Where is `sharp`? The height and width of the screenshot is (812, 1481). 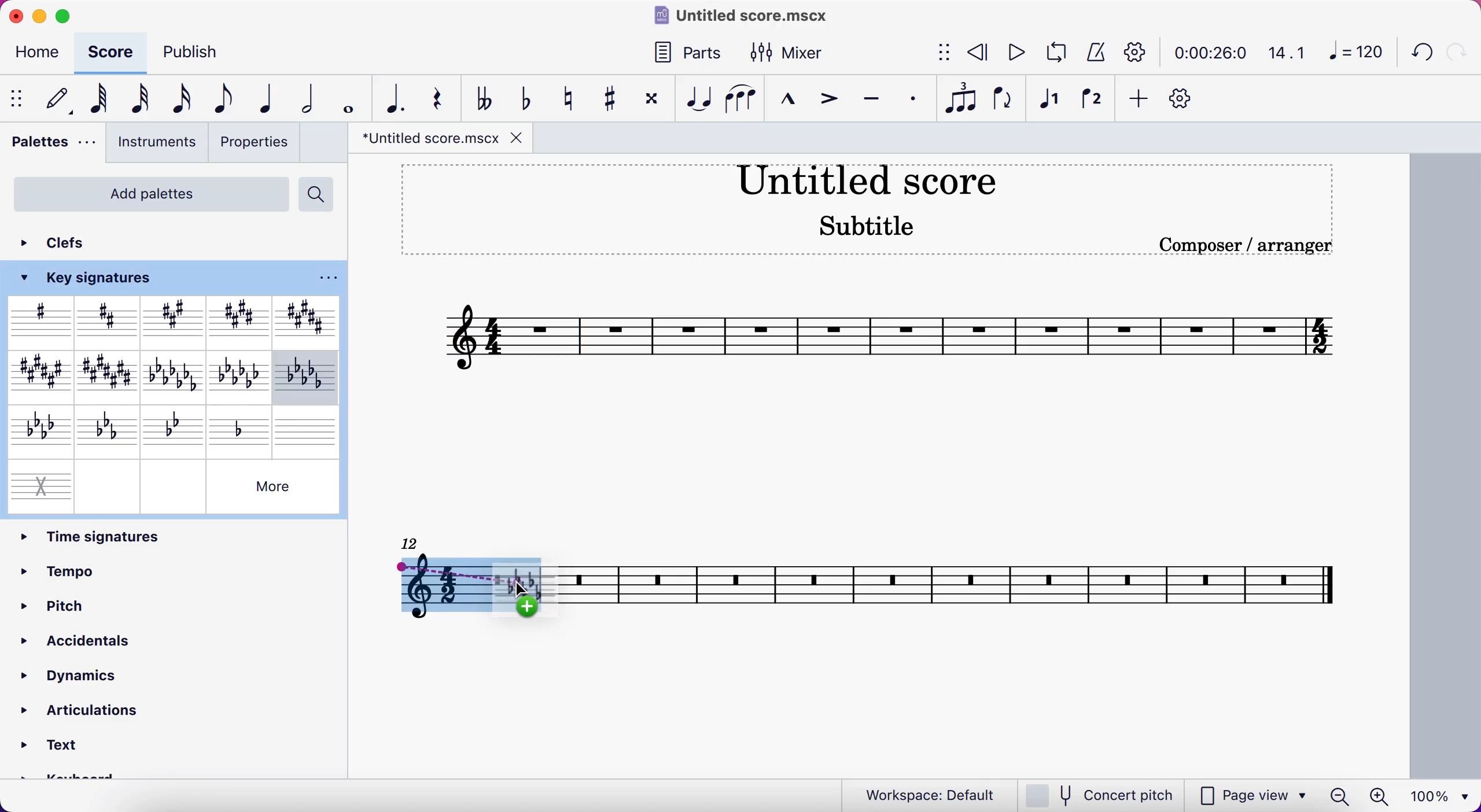 sharp is located at coordinates (39, 320).